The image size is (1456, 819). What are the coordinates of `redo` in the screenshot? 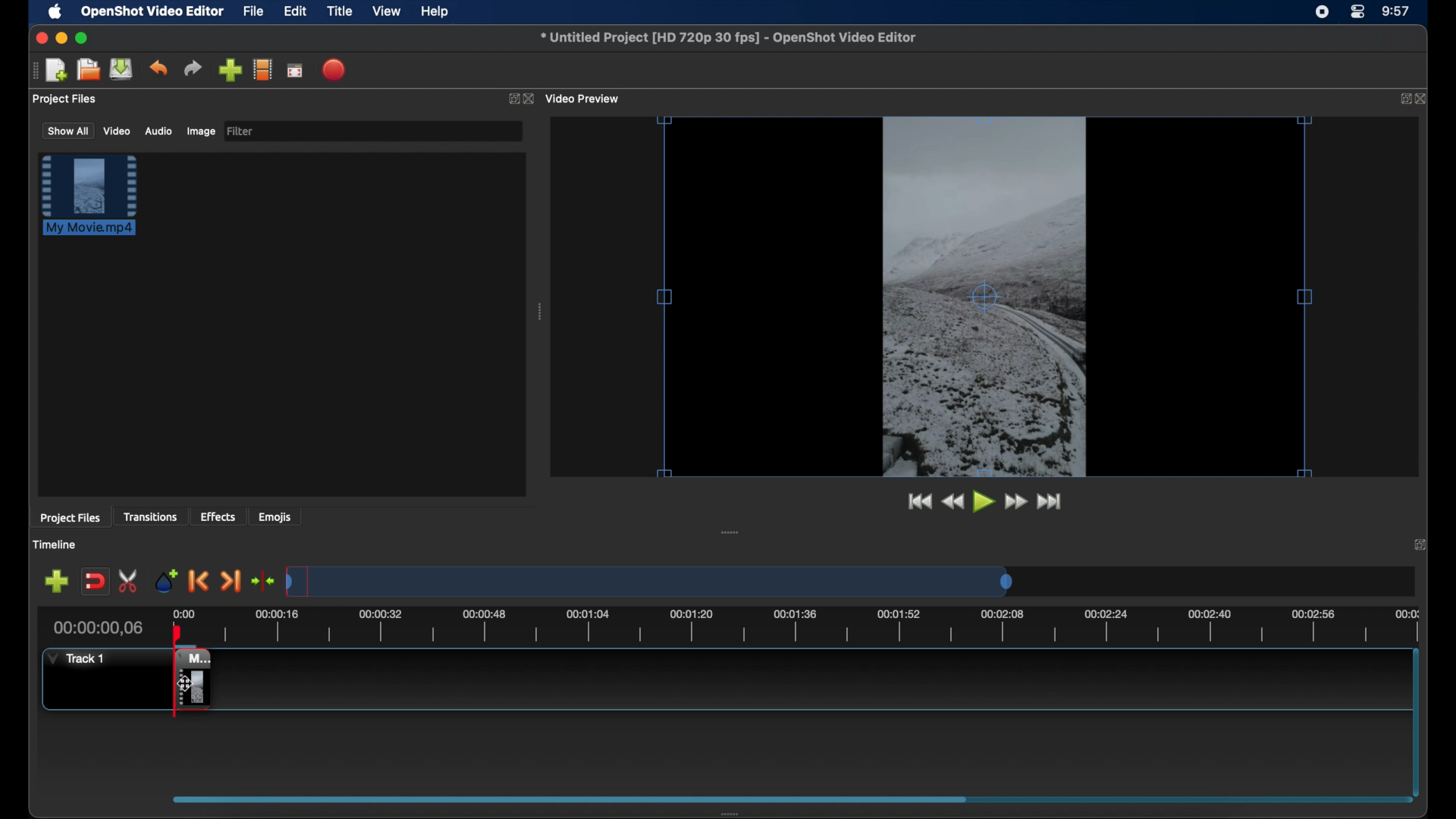 It's located at (193, 68).